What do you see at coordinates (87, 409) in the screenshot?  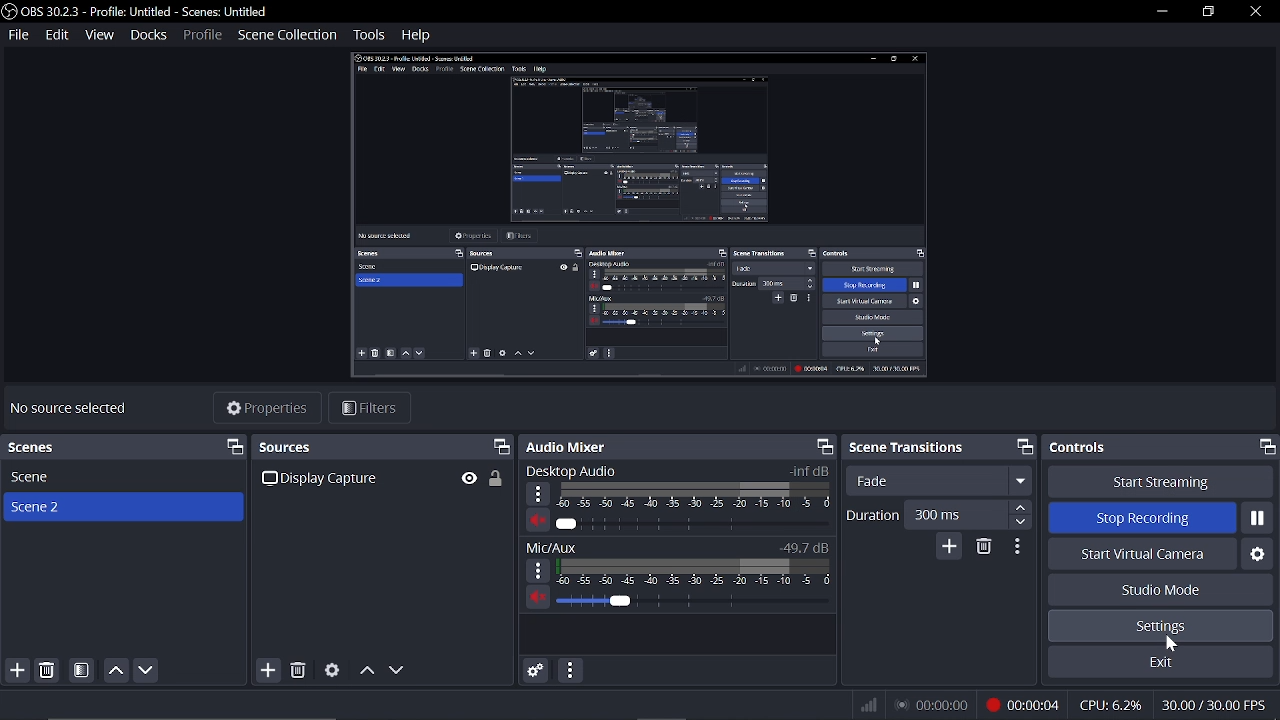 I see `No source selected` at bounding box center [87, 409].